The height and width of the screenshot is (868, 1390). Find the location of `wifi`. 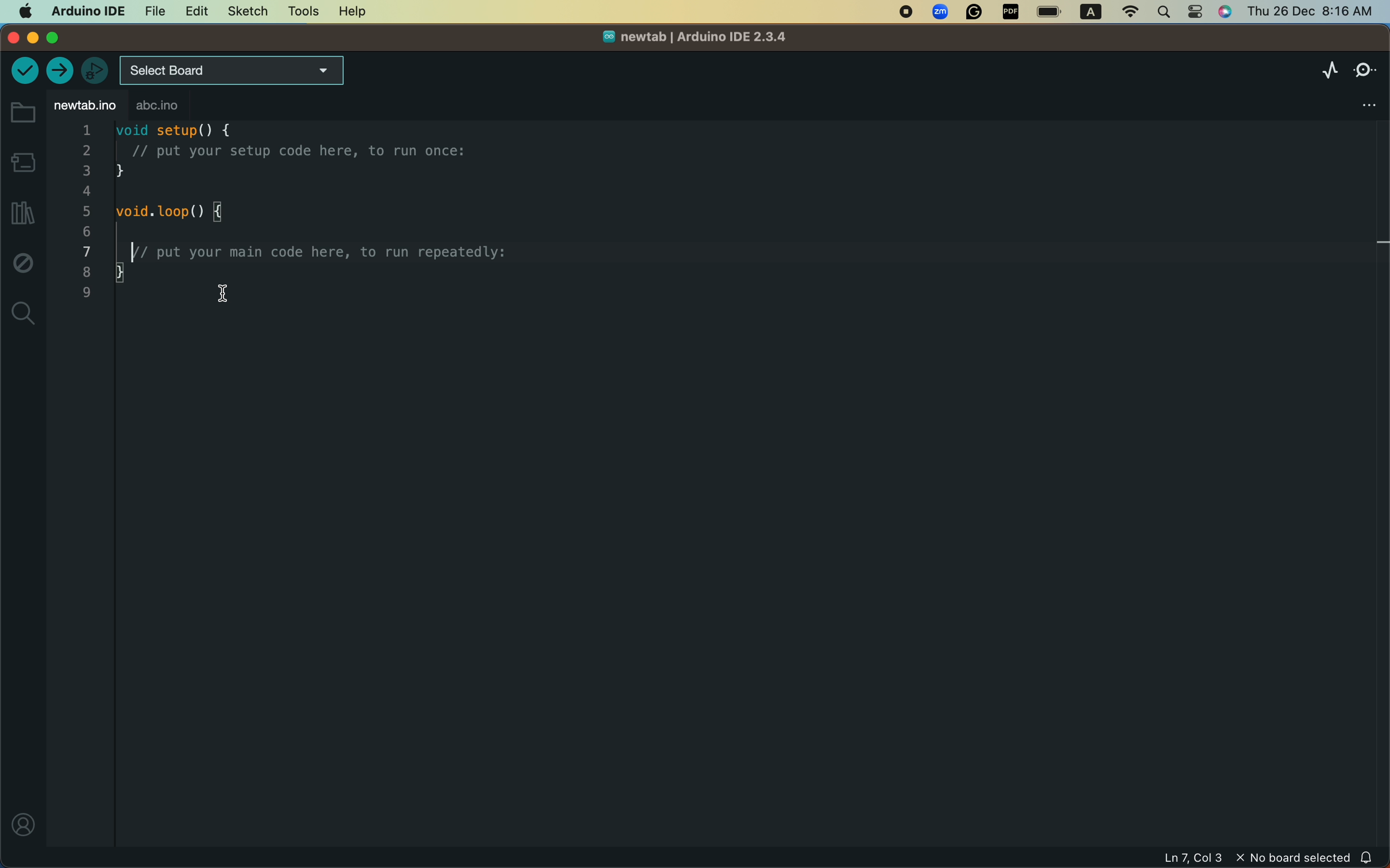

wifi is located at coordinates (1125, 12).